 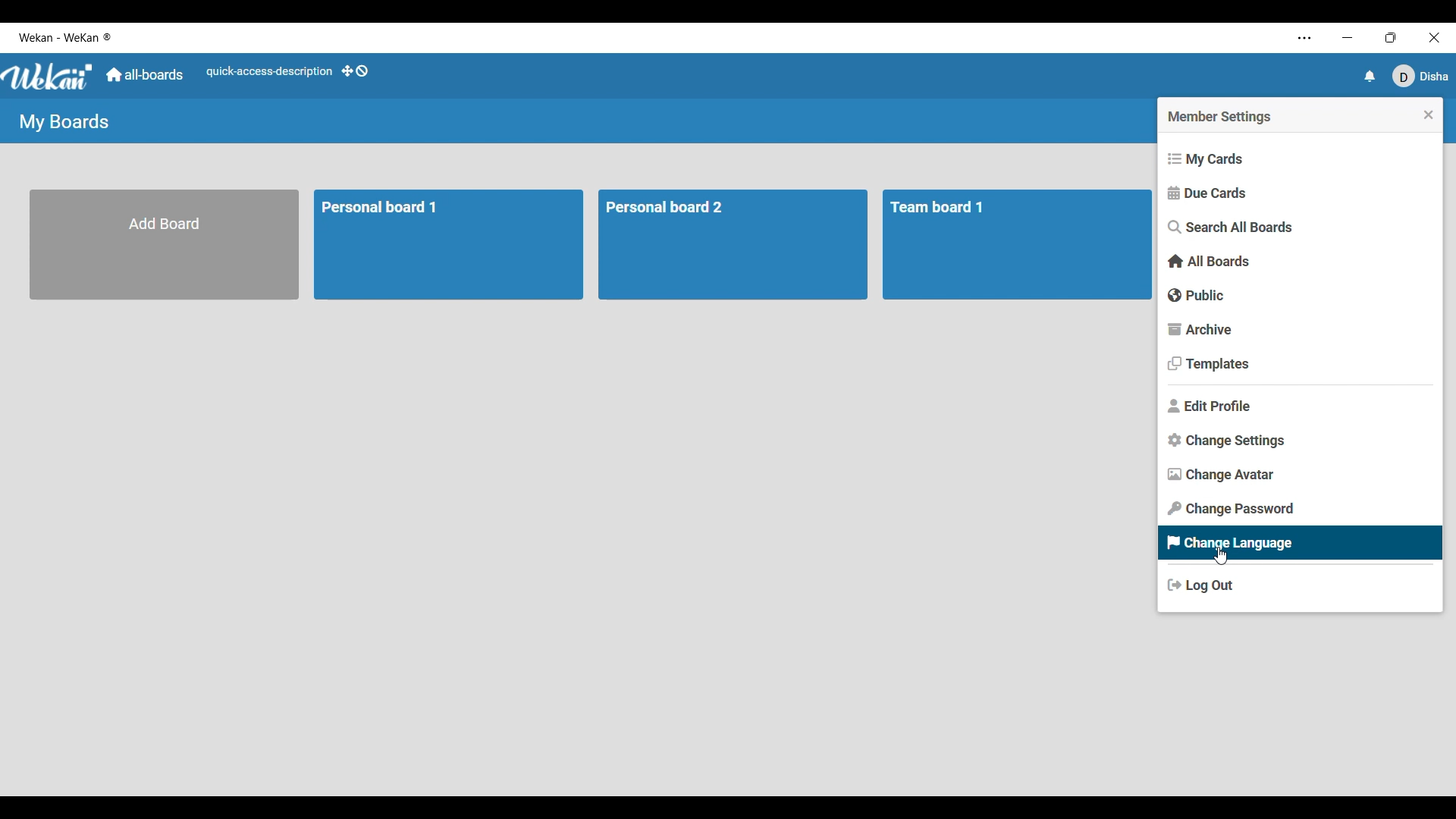 I want to click on Personal board 1, so click(x=448, y=243).